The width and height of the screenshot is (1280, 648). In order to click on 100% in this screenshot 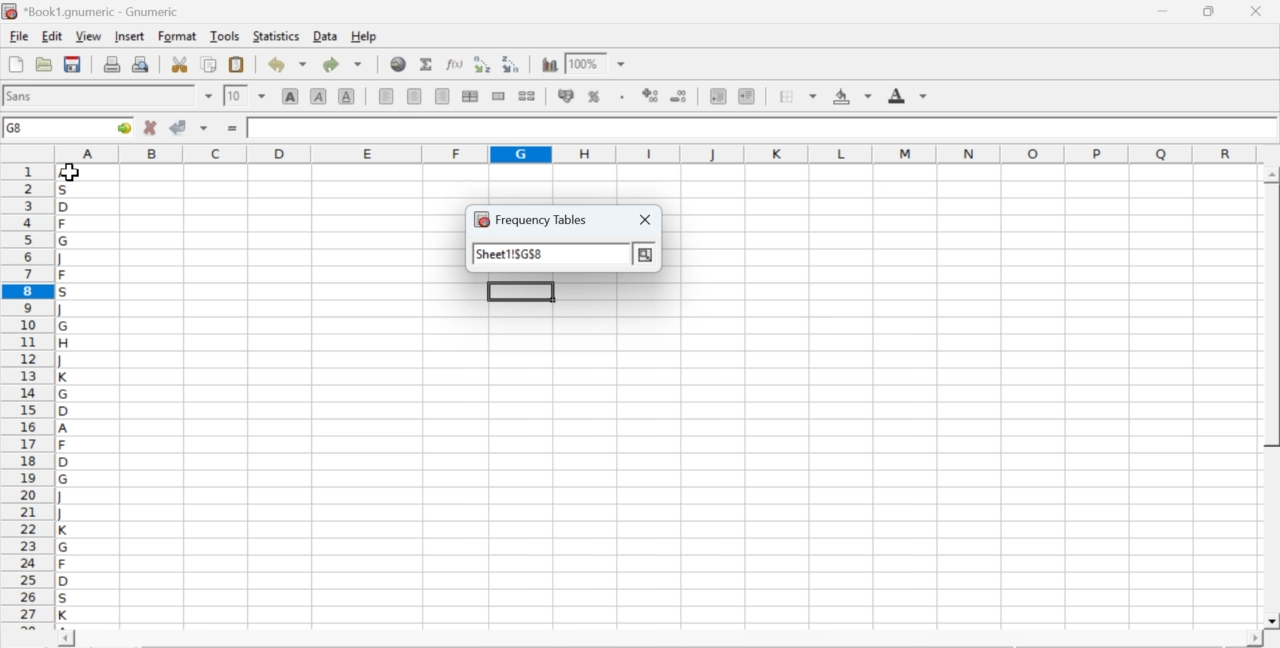, I will do `click(583, 63)`.